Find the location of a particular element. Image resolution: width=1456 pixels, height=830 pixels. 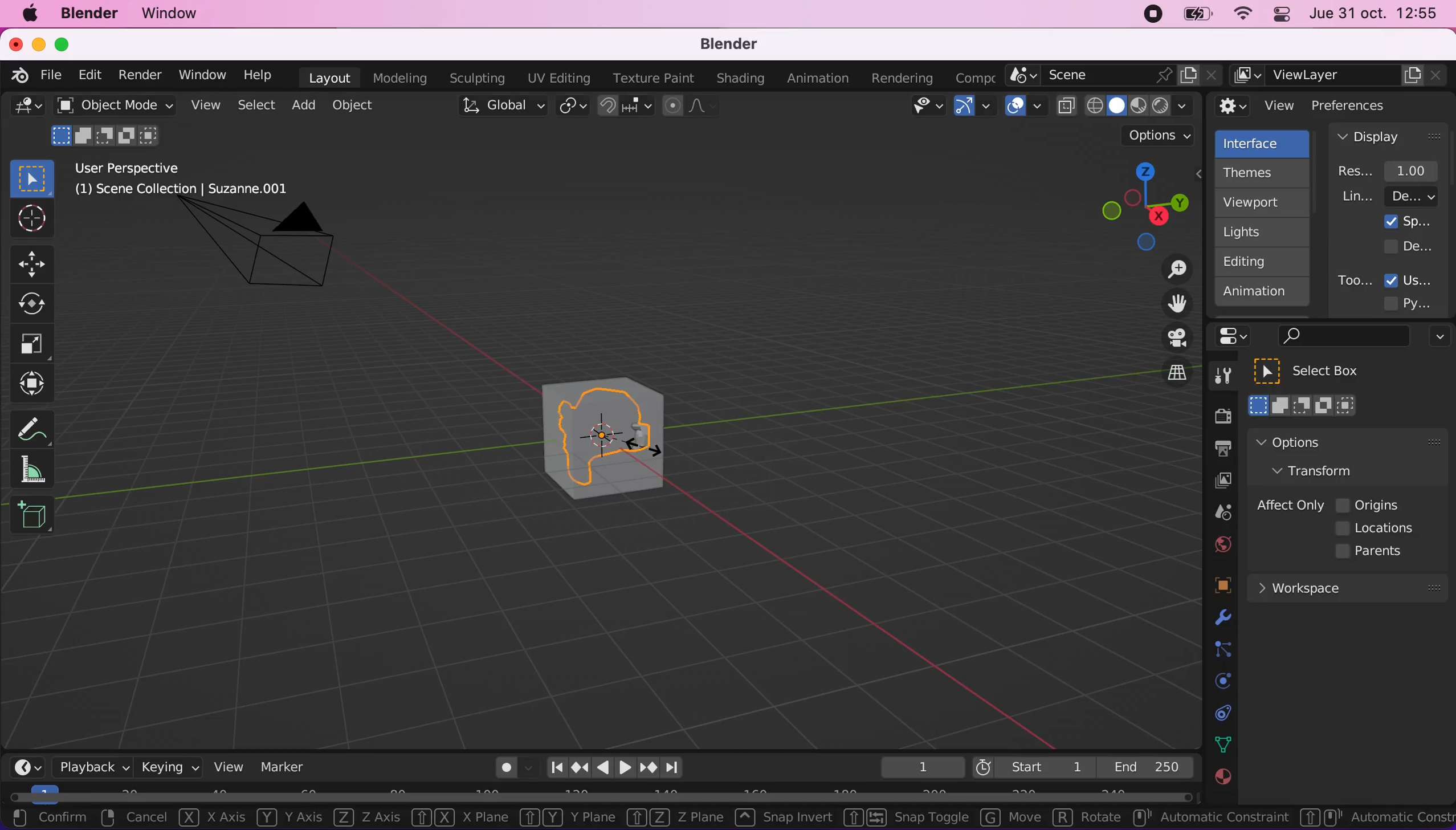

world is located at coordinates (1220, 543).